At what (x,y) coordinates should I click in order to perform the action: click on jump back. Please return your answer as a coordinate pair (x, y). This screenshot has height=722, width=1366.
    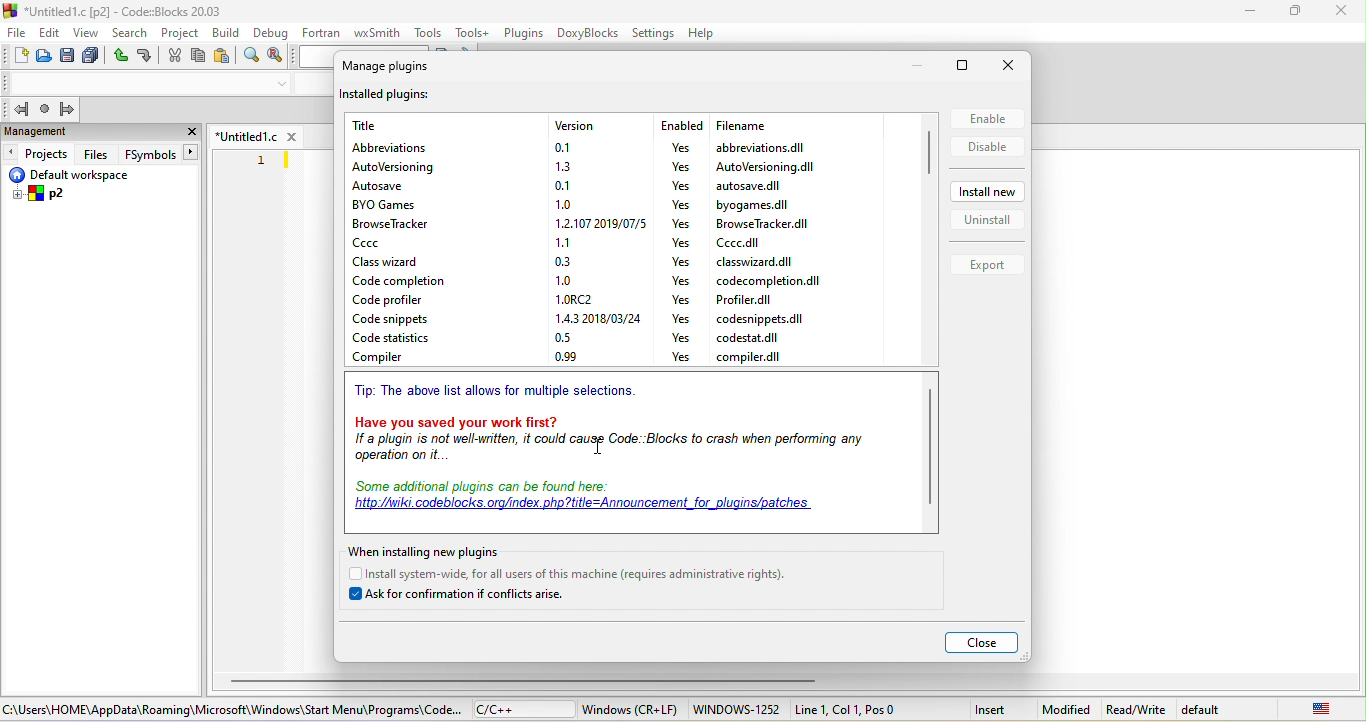
    Looking at the image, I should click on (15, 109).